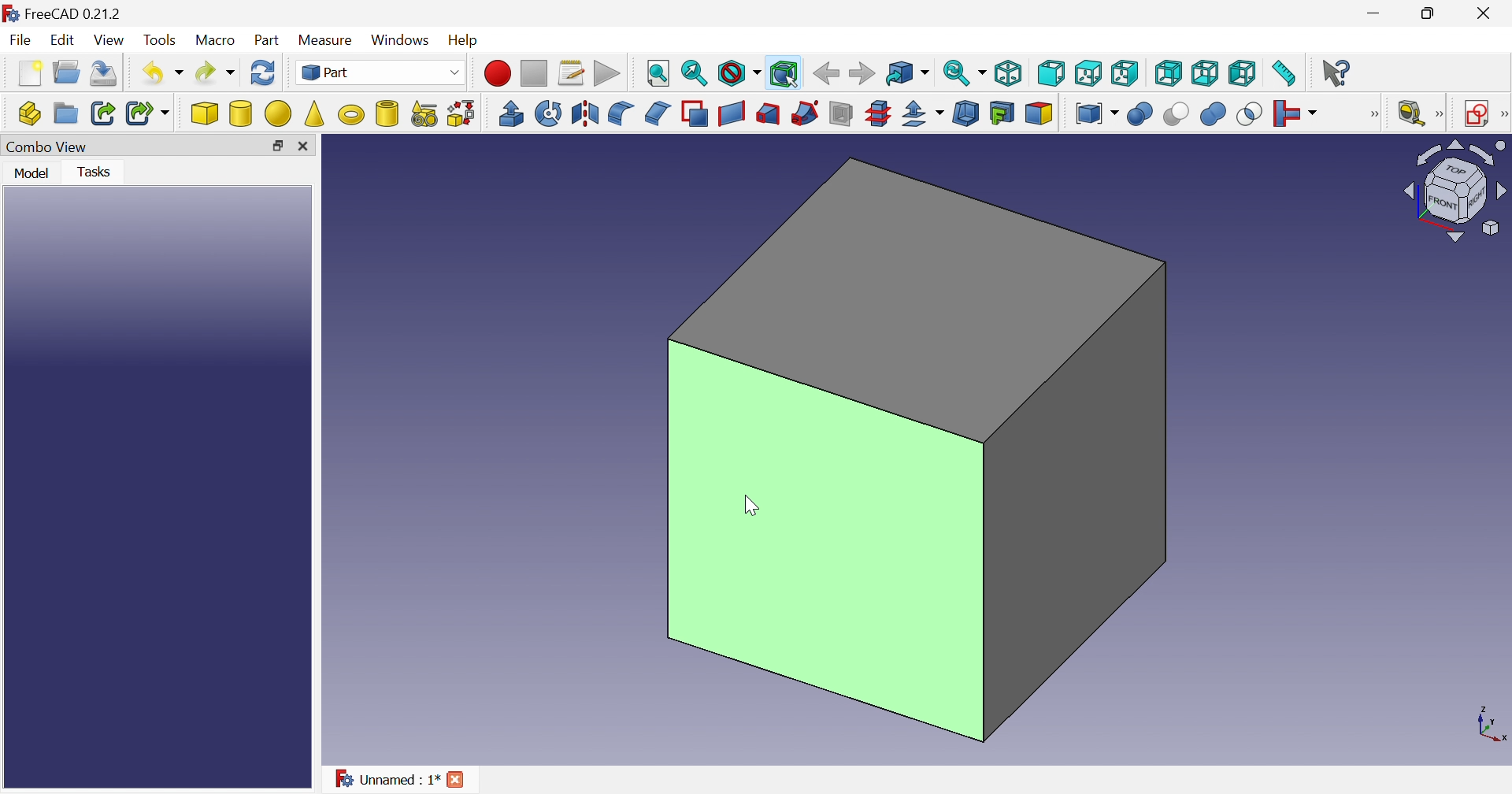 The height and width of the screenshot is (794, 1512). I want to click on Join objects..., so click(1295, 114).